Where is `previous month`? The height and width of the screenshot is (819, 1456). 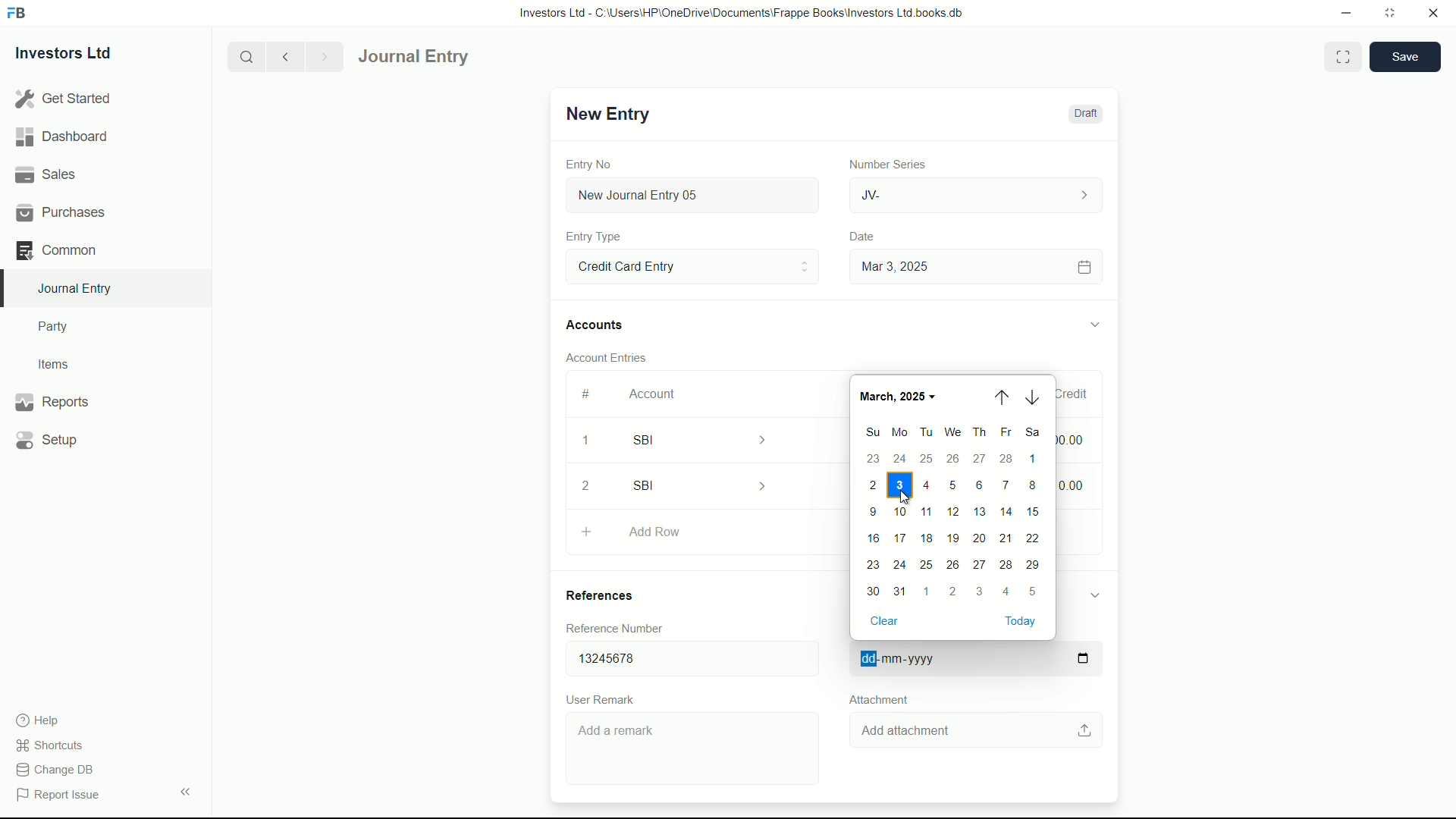
previous month is located at coordinates (1003, 397).